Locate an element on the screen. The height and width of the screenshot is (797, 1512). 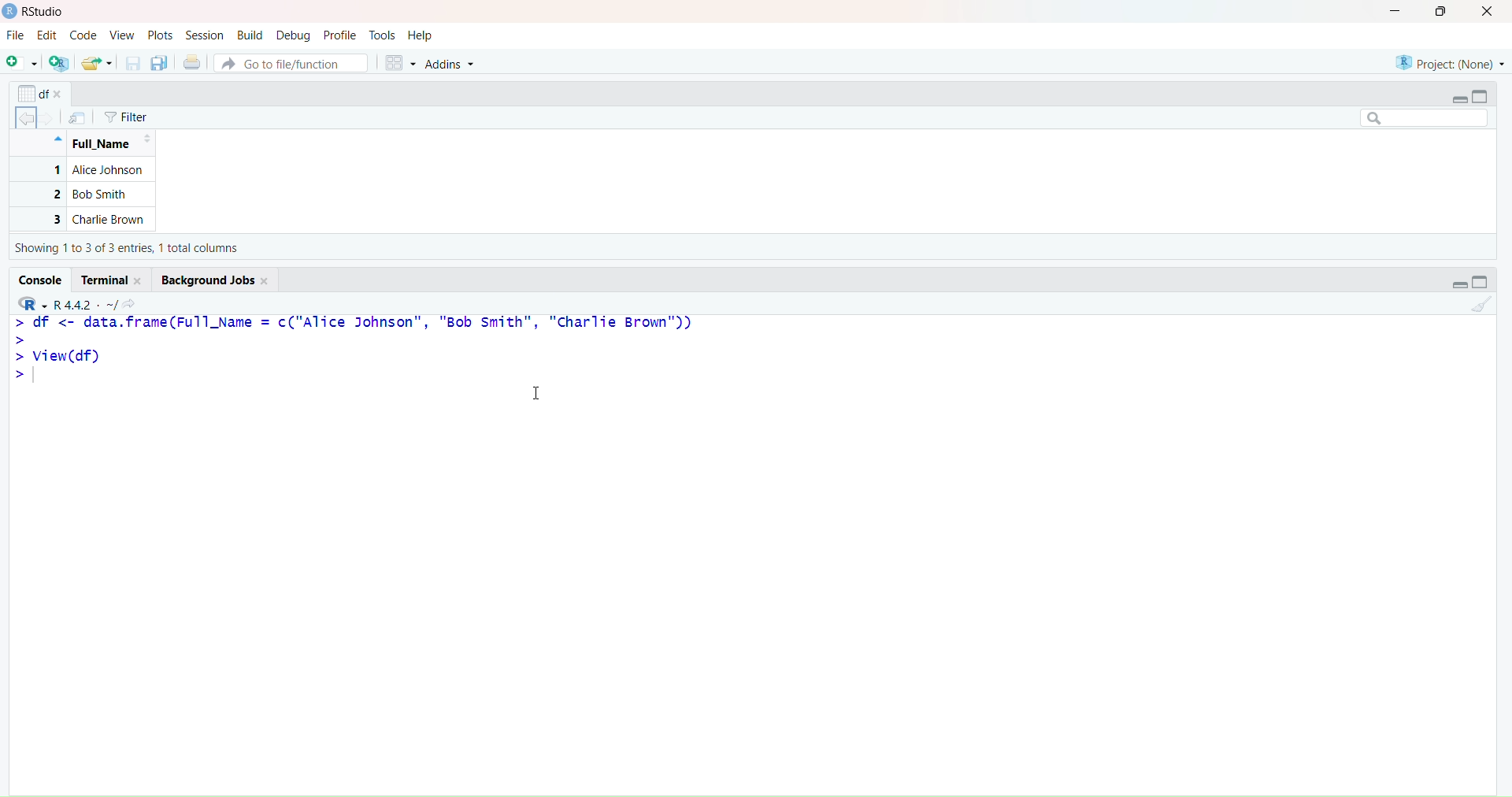
Cursor is located at coordinates (543, 393).